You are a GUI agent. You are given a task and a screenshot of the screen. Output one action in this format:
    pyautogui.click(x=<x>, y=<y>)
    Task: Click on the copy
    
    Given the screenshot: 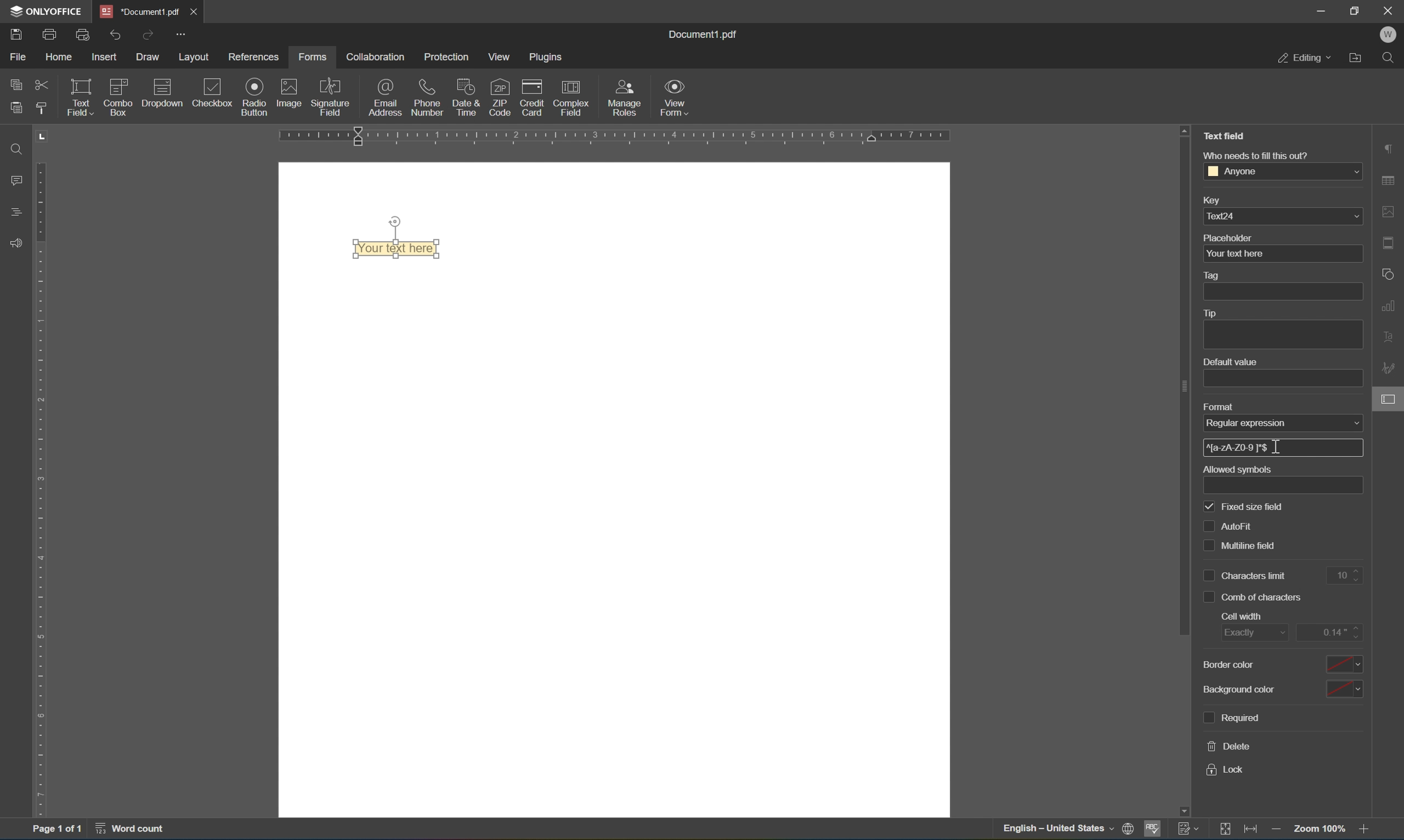 What is the action you would take?
    pyautogui.click(x=16, y=82)
    